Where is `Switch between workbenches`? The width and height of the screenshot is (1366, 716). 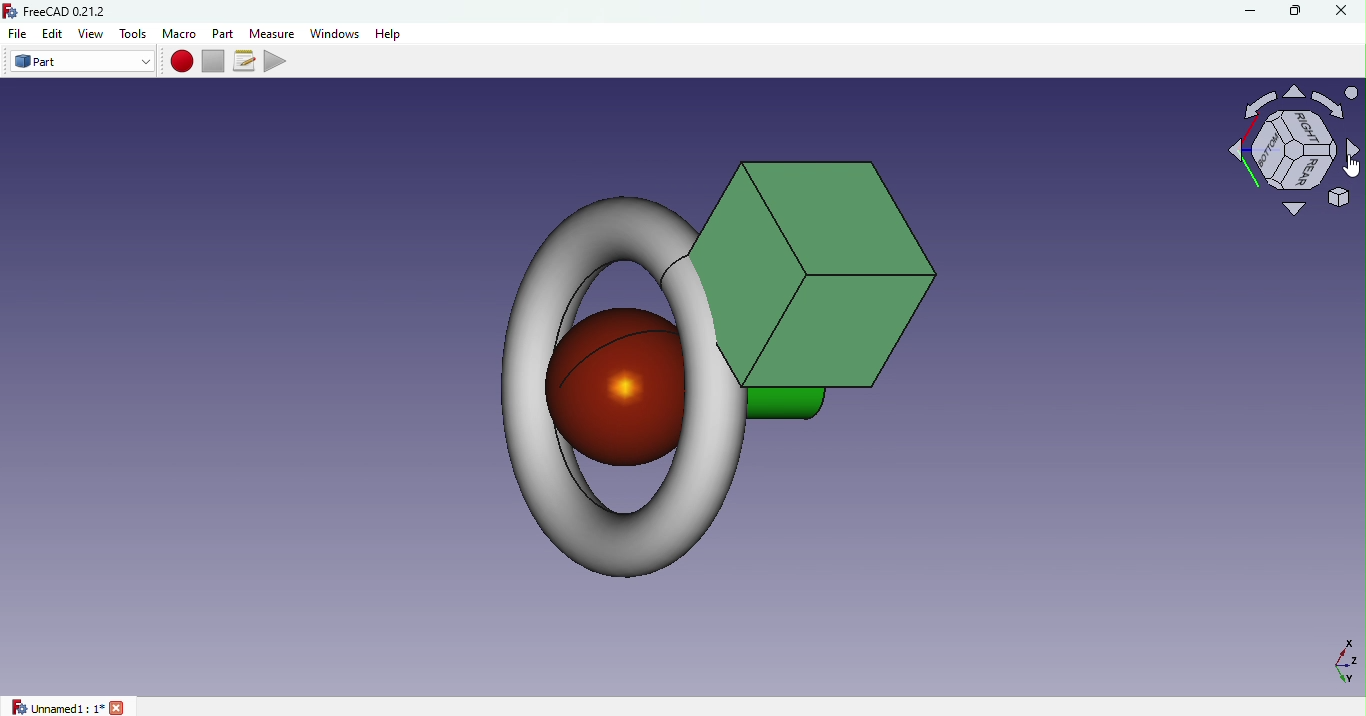 Switch between workbenches is located at coordinates (78, 62).